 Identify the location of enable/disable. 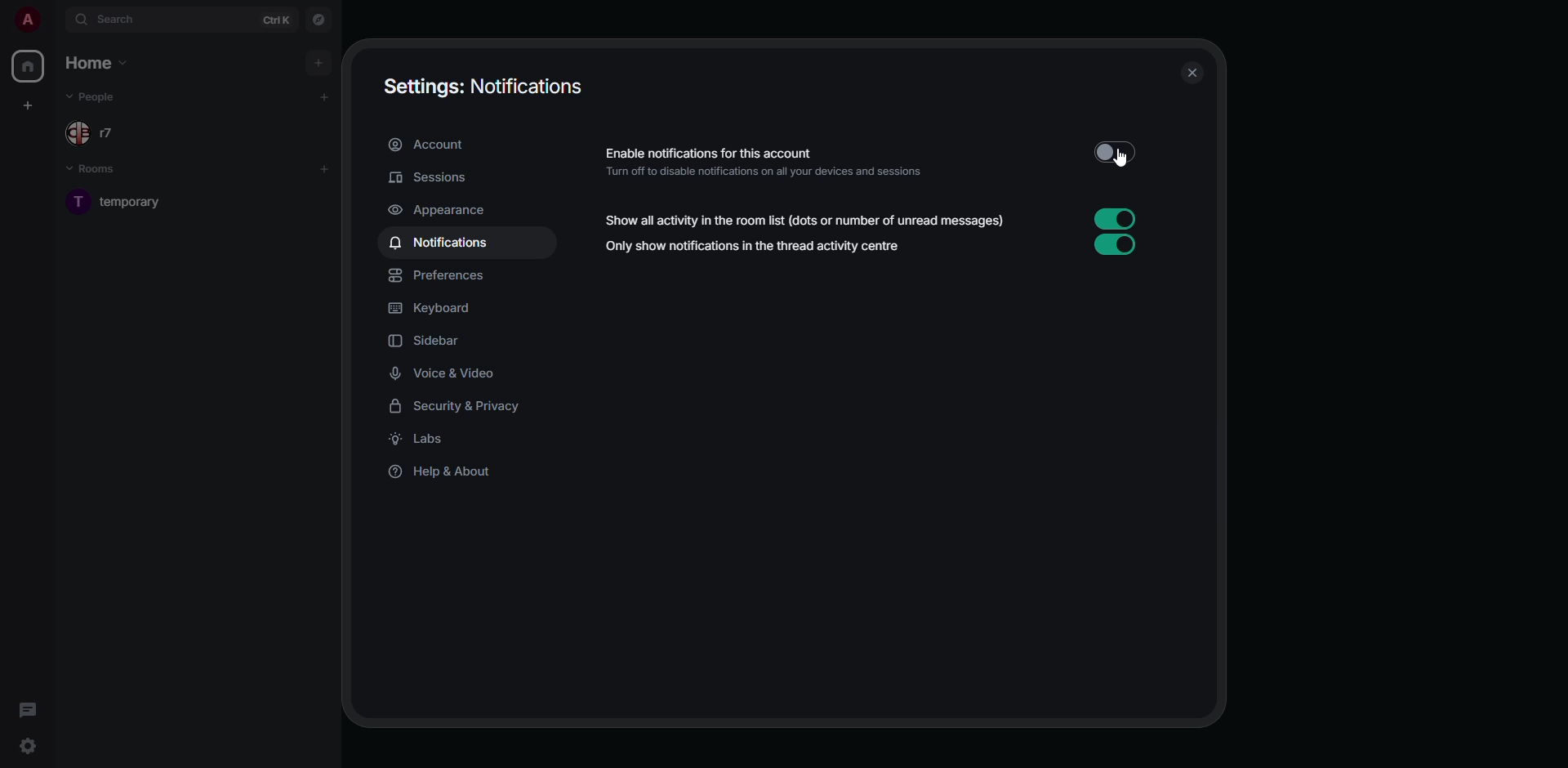
(1114, 246).